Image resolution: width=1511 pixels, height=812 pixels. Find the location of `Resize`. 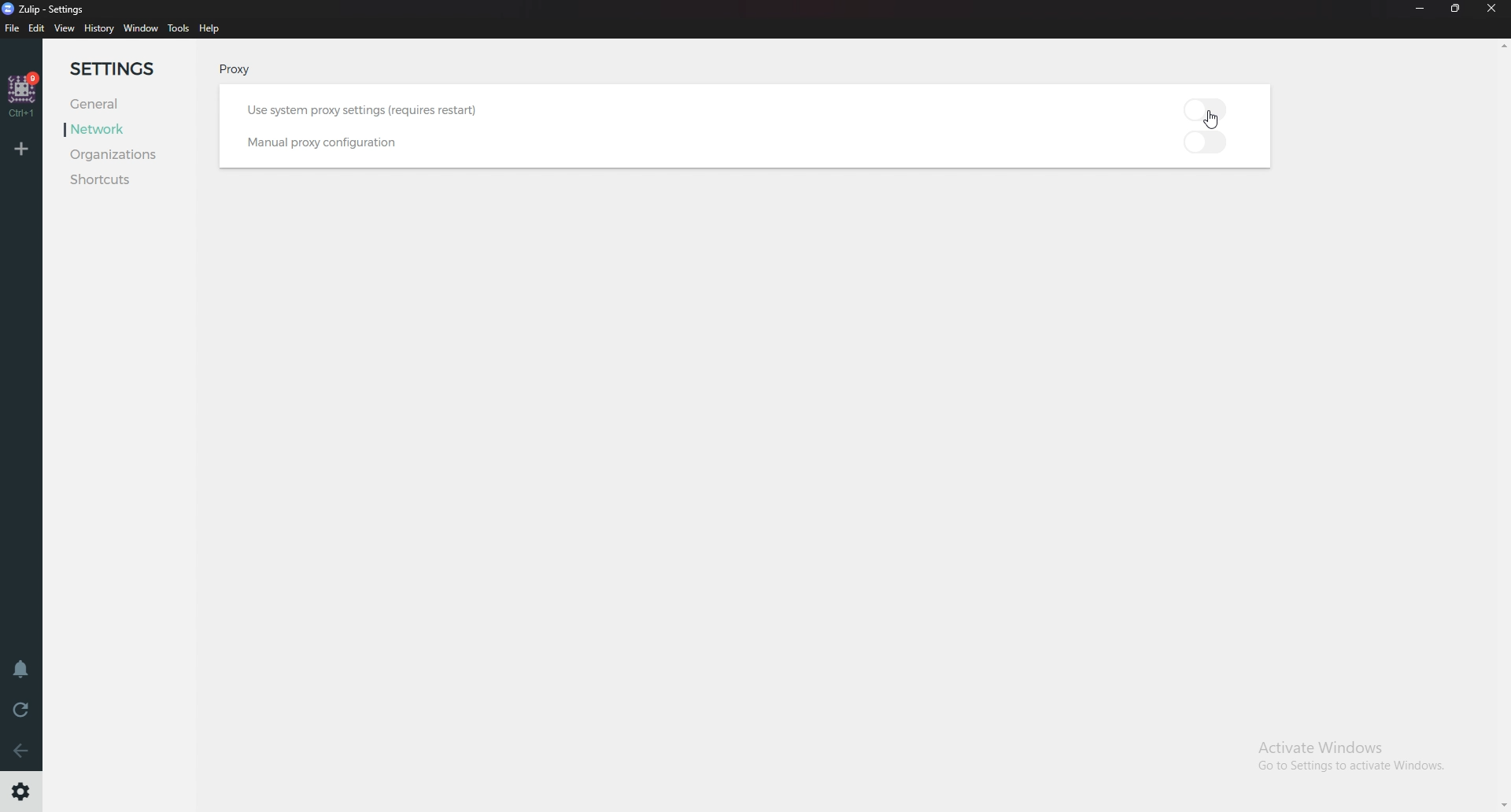

Resize is located at coordinates (1454, 9).